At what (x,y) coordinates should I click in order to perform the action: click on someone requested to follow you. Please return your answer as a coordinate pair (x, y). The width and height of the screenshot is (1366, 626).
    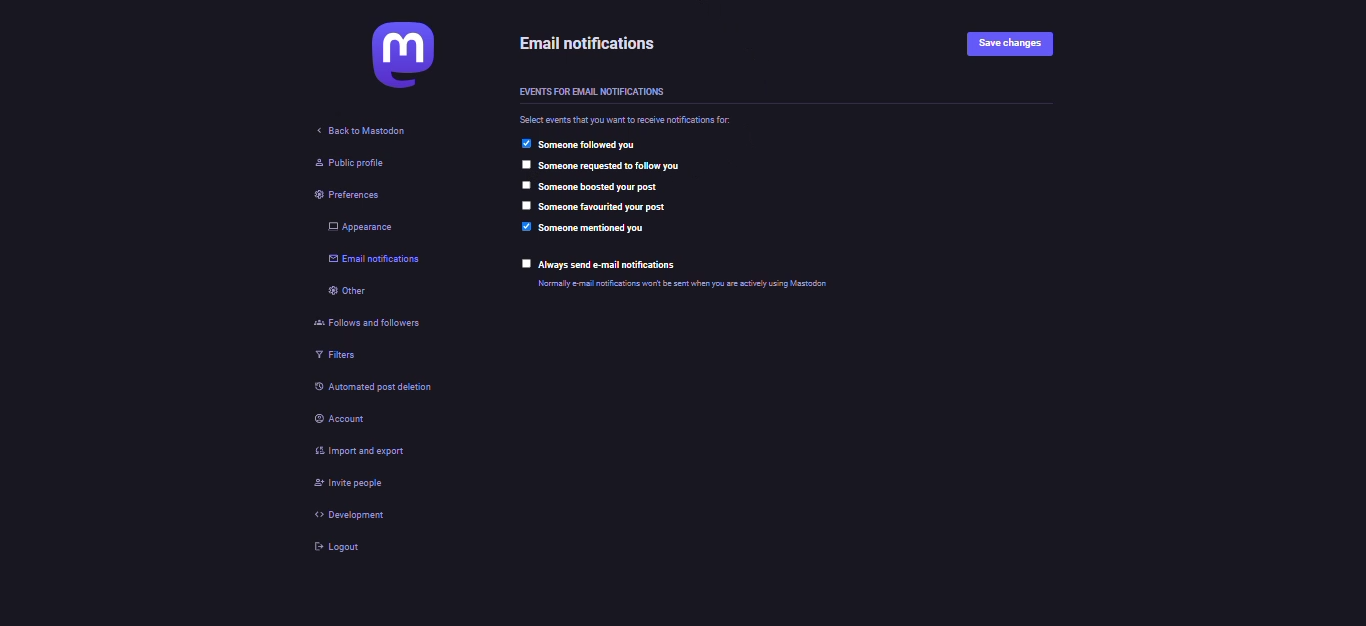
    Looking at the image, I should click on (616, 165).